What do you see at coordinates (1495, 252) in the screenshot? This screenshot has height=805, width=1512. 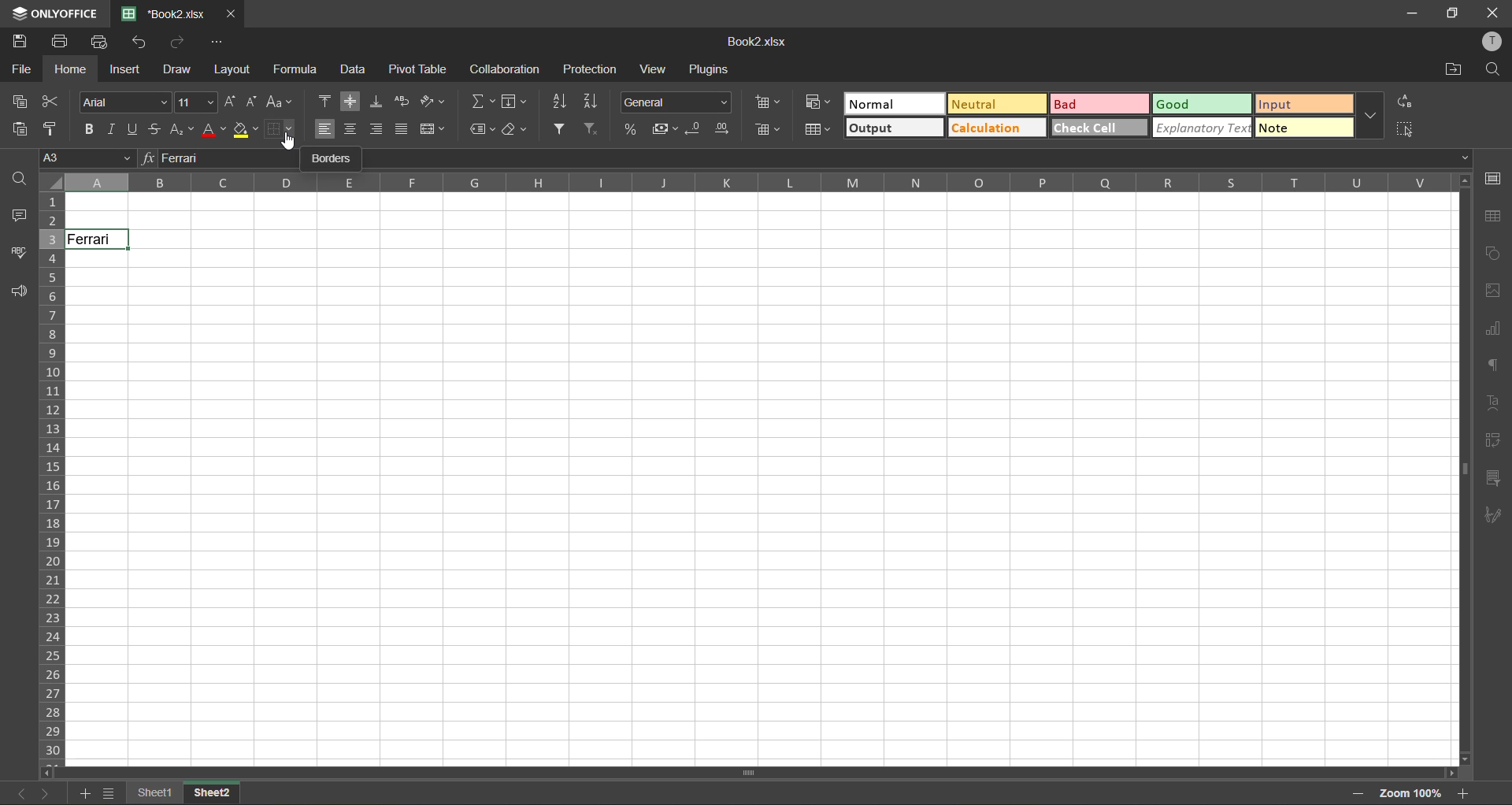 I see `shapes` at bounding box center [1495, 252].